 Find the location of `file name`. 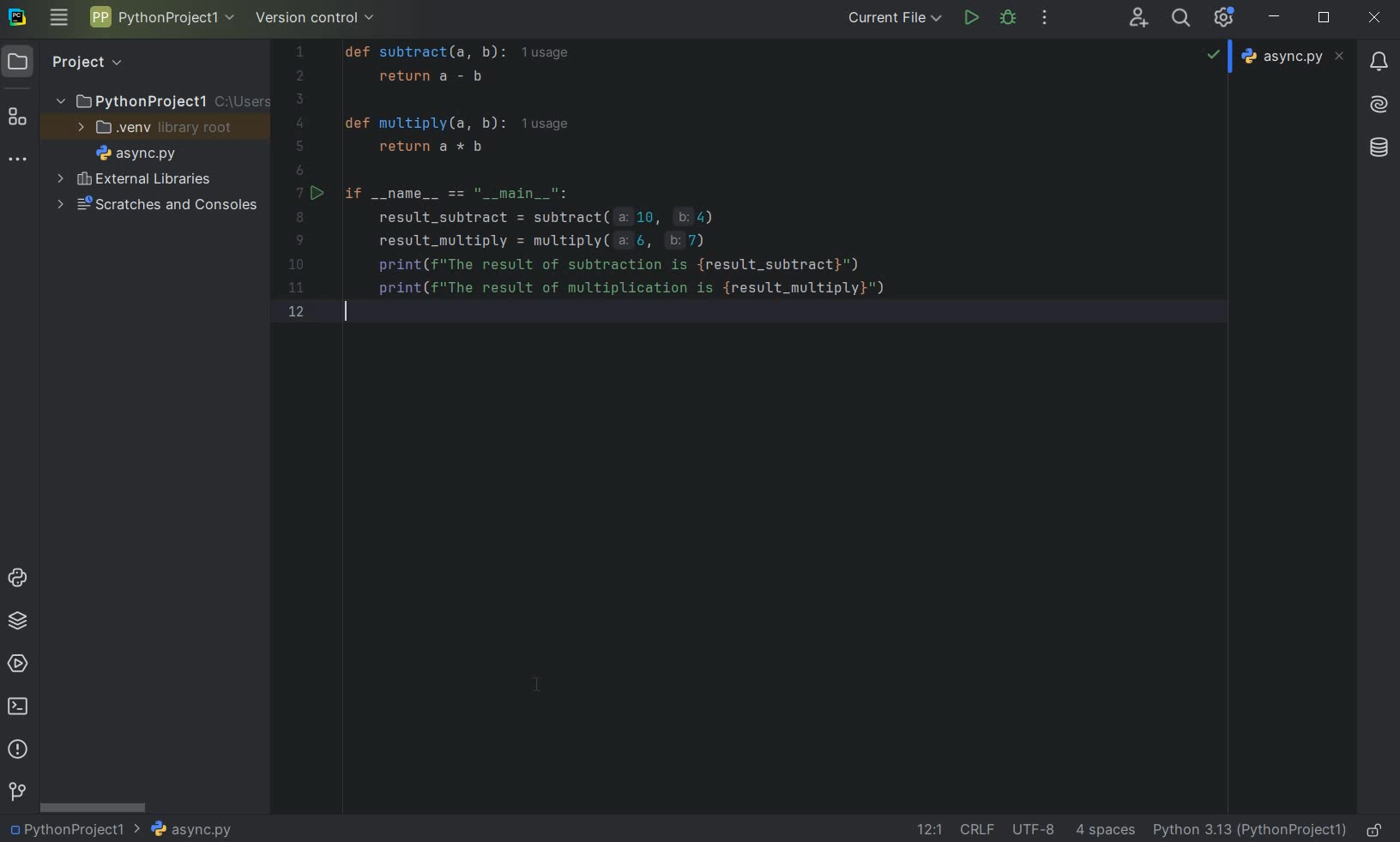

file name is located at coordinates (194, 831).